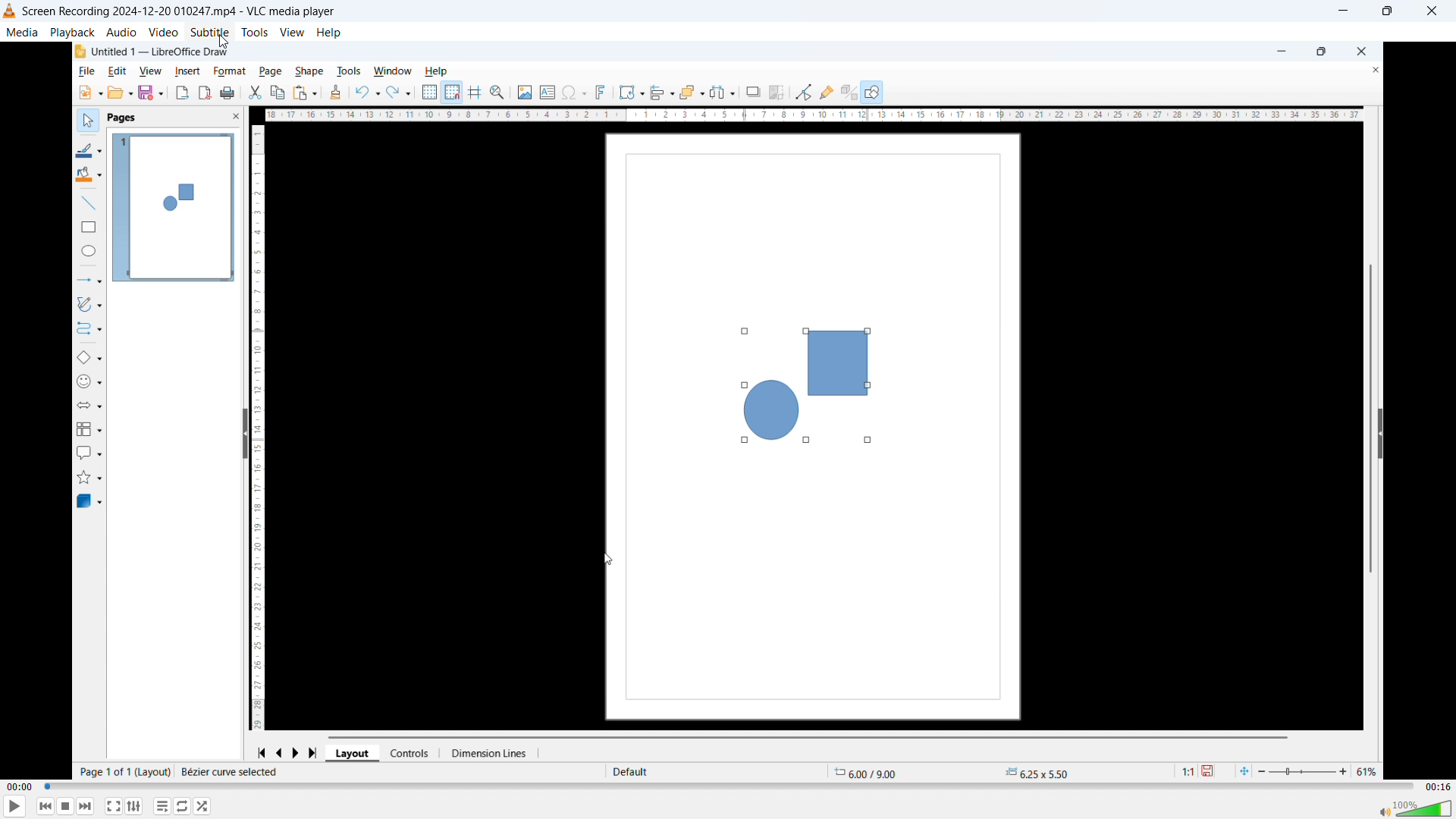 The width and height of the screenshot is (1456, 819). Describe the element at coordinates (89, 451) in the screenshot. I see `callout shape` at that location.